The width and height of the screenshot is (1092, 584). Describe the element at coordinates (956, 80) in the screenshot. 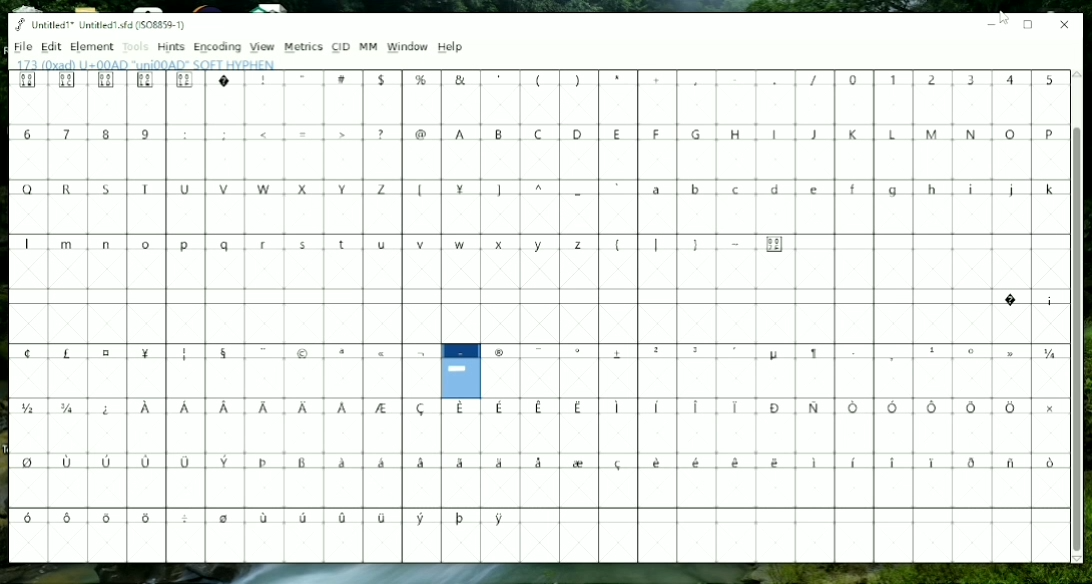

I see `Numbers` at that location.